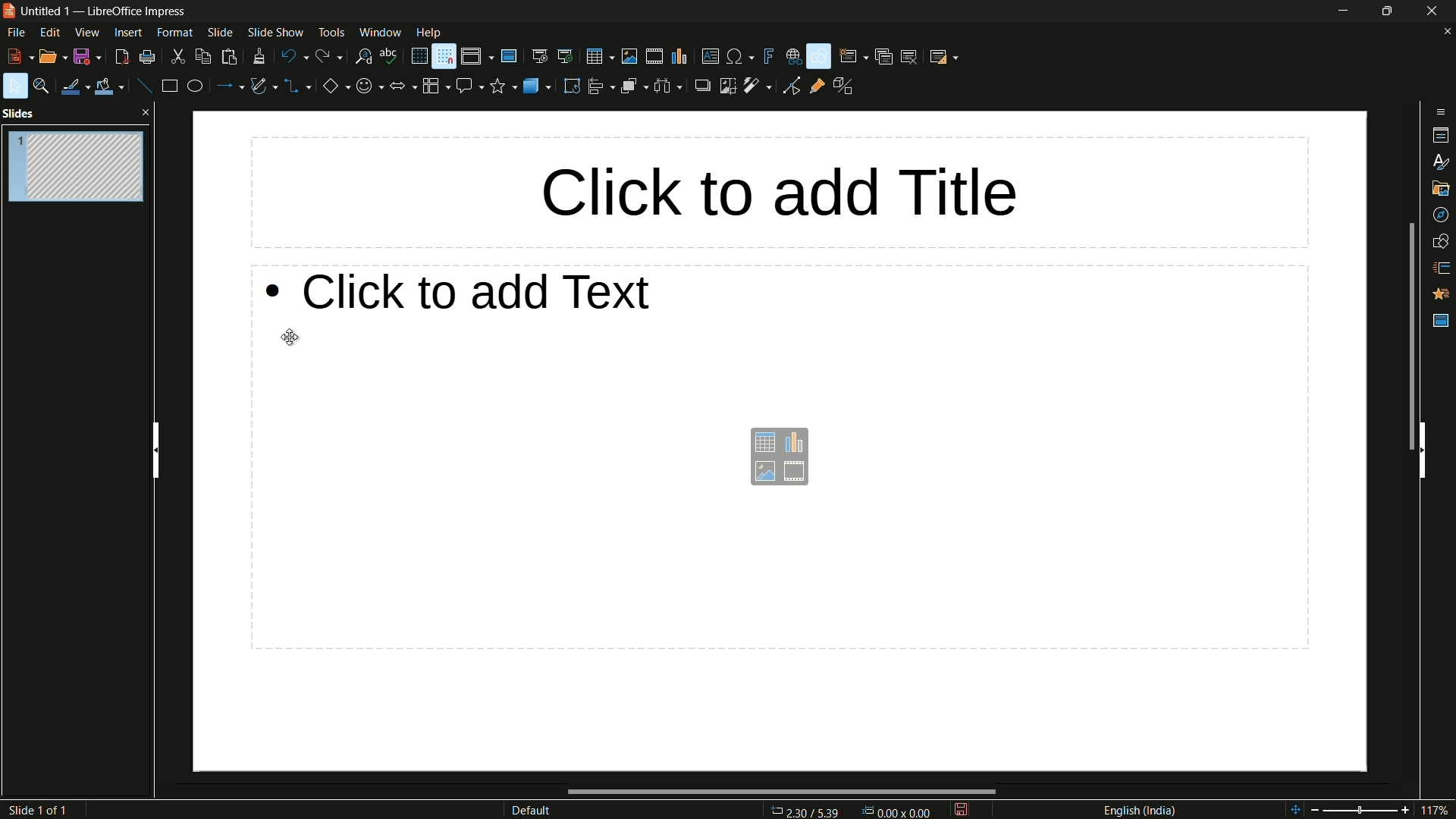 This screenshot has height=819, width=1456. What do you see at coordinates (230, 58) in the screenshot?
I see `paste` at bounding box center [230, 58].